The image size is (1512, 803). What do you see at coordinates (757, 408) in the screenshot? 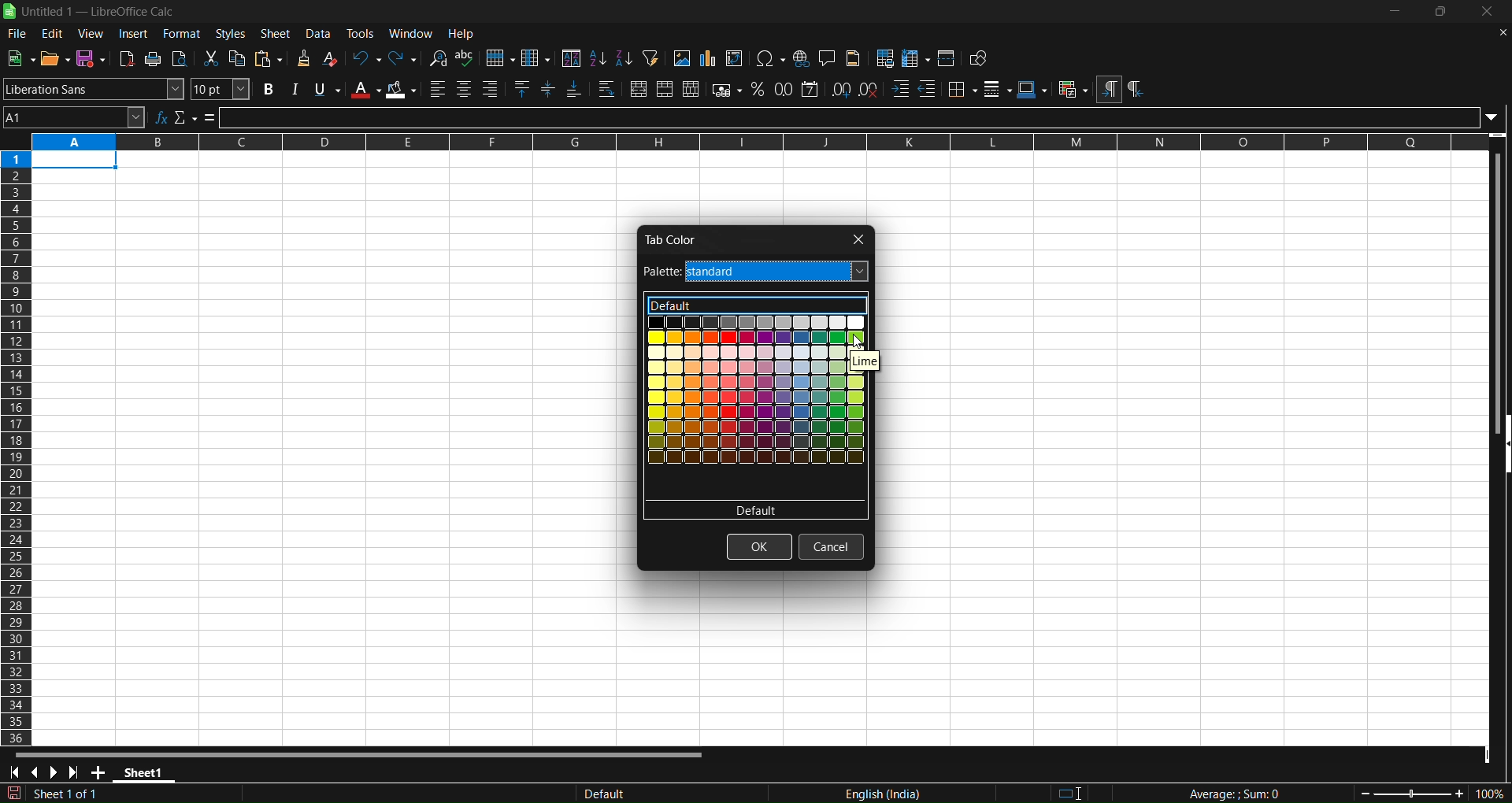
I see `colors` at bounding box center [757, 408].